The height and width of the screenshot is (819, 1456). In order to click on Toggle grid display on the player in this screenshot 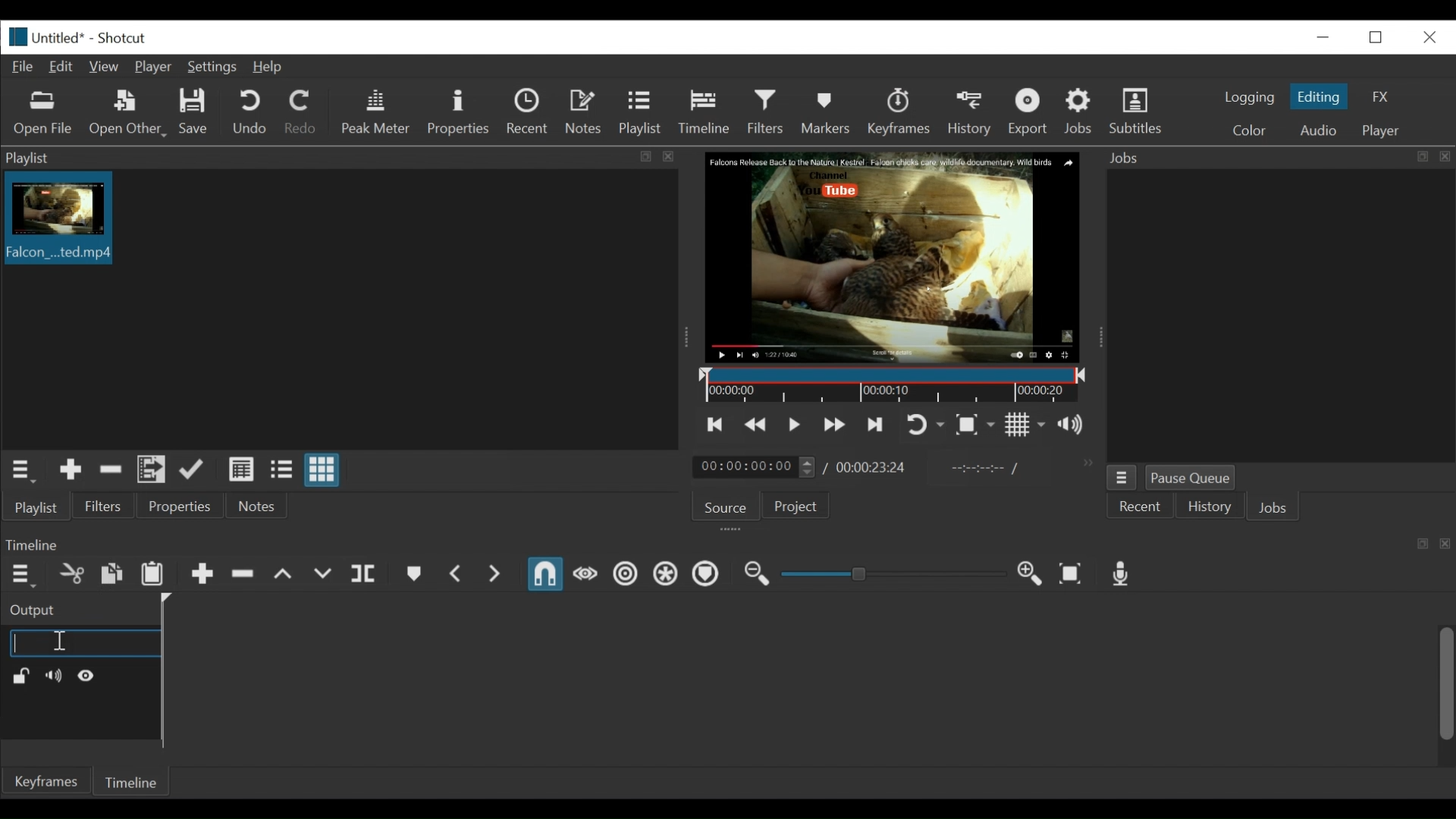, I will do `click(1025, 425)`.